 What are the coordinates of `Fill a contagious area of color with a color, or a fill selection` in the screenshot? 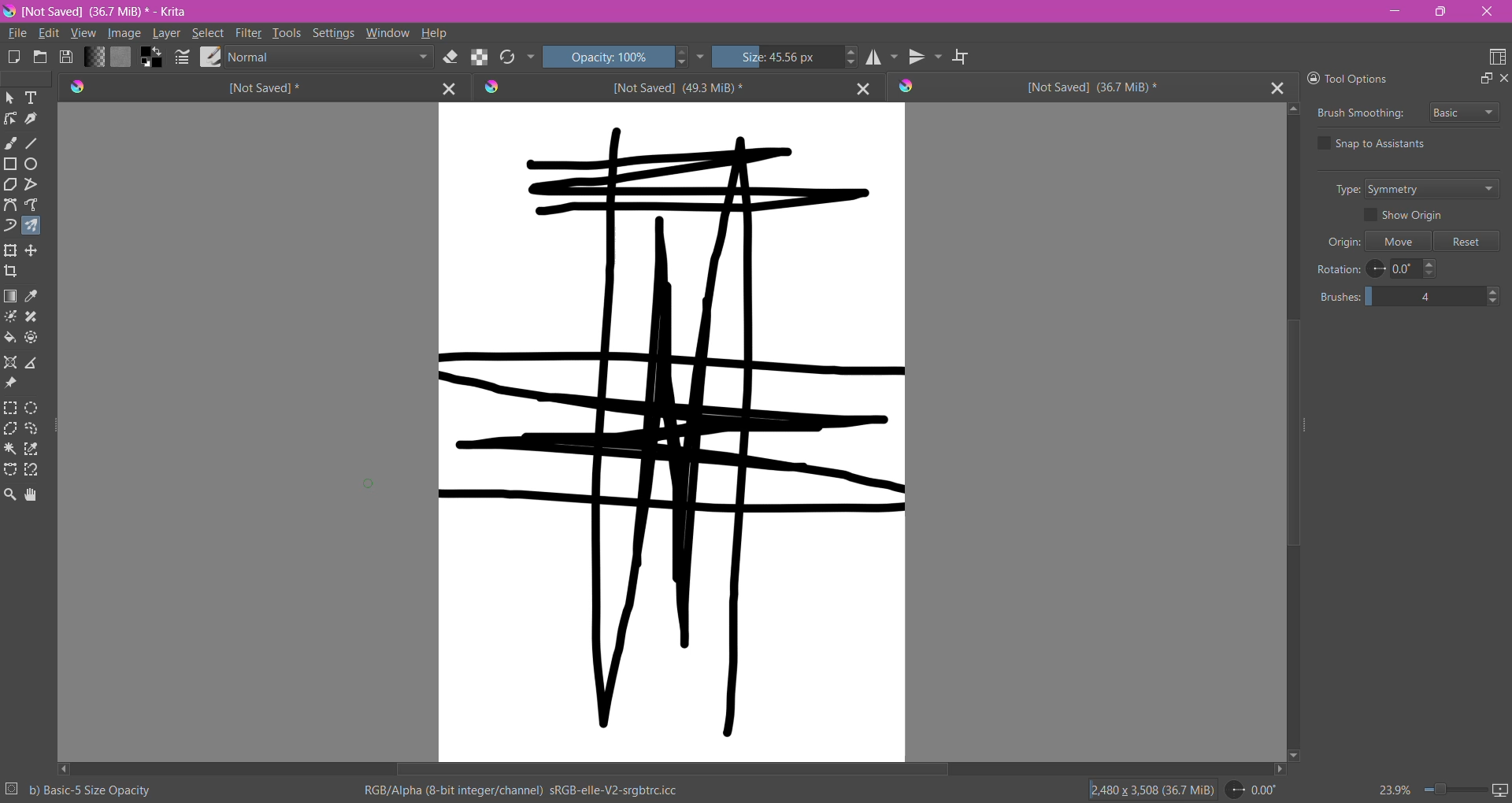 It's located at (11, 338).